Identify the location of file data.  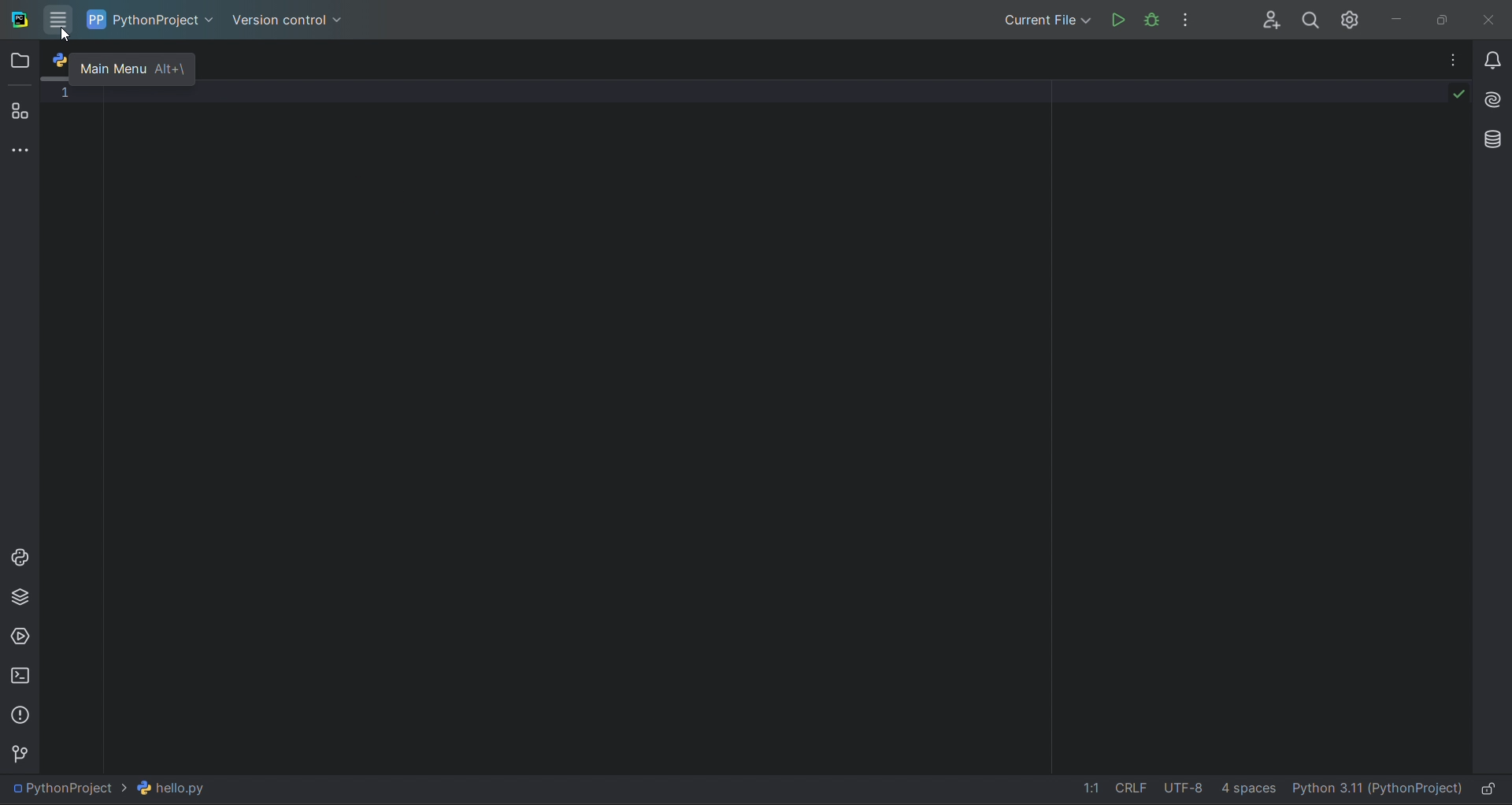
(1166, 791).